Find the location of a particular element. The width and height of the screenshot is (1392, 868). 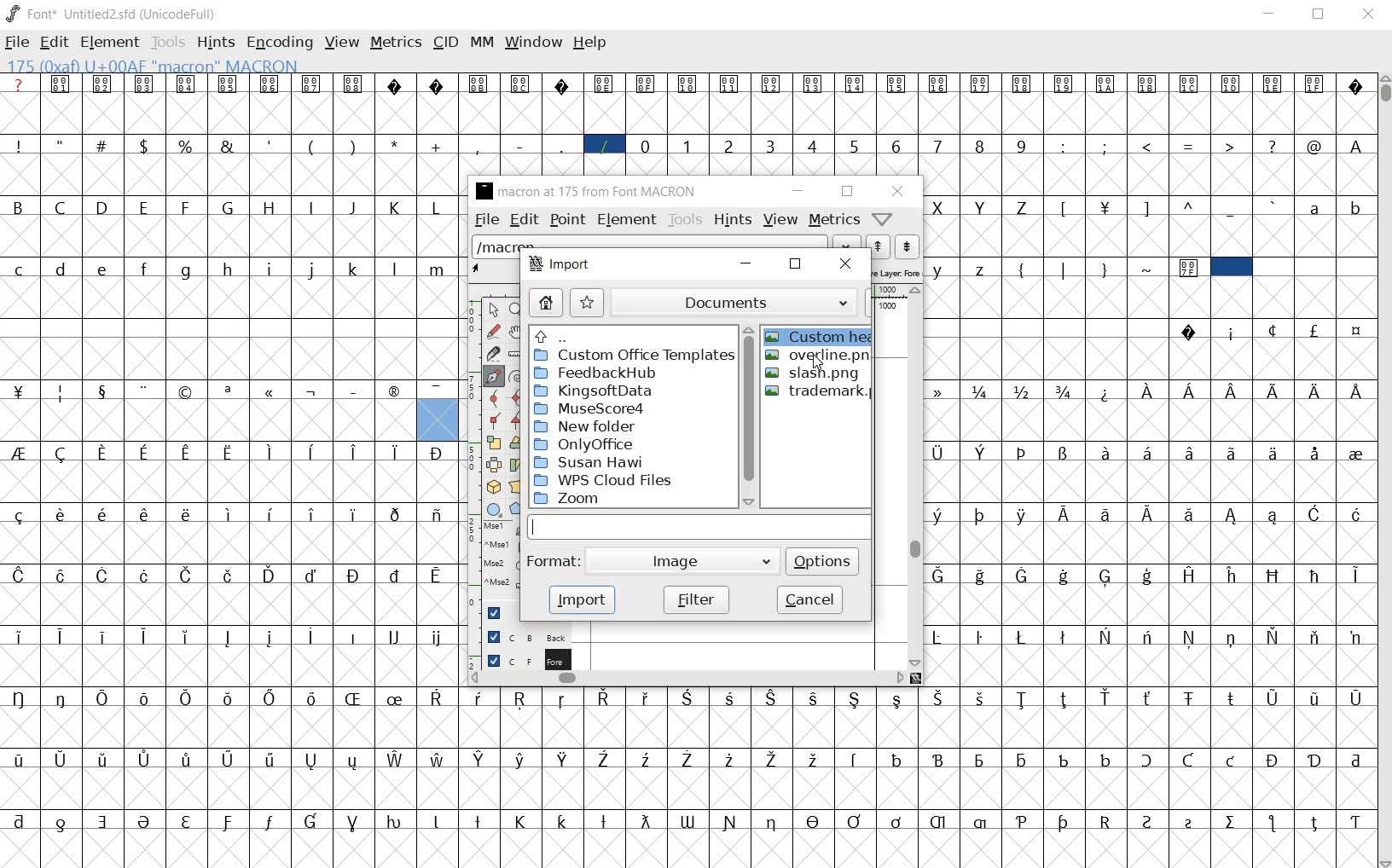

Symbol is located at coordinates (731, 83).